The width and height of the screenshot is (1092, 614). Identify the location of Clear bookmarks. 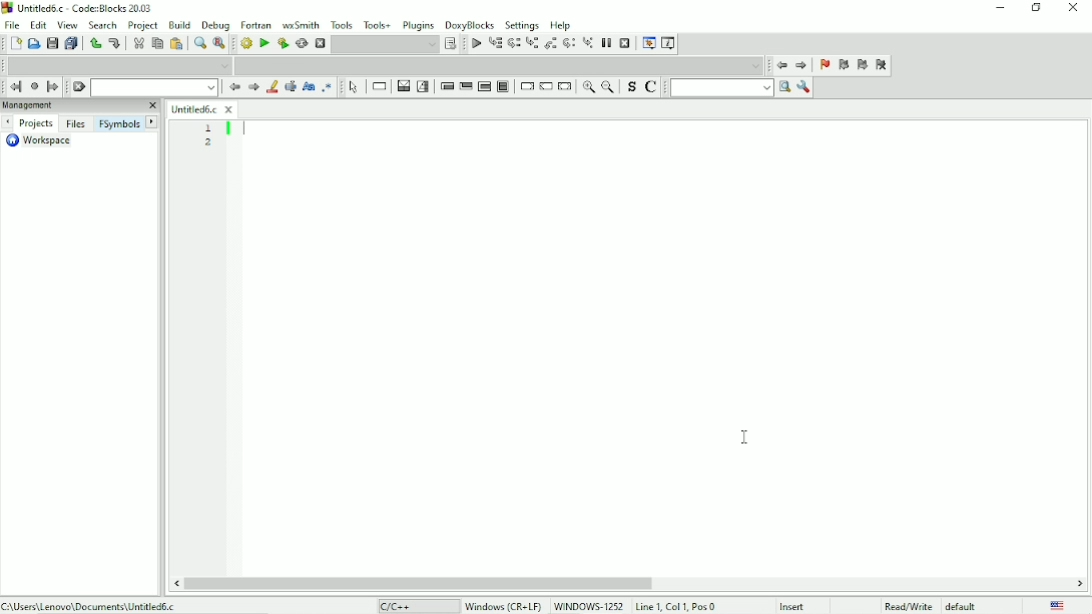
(881, 65).